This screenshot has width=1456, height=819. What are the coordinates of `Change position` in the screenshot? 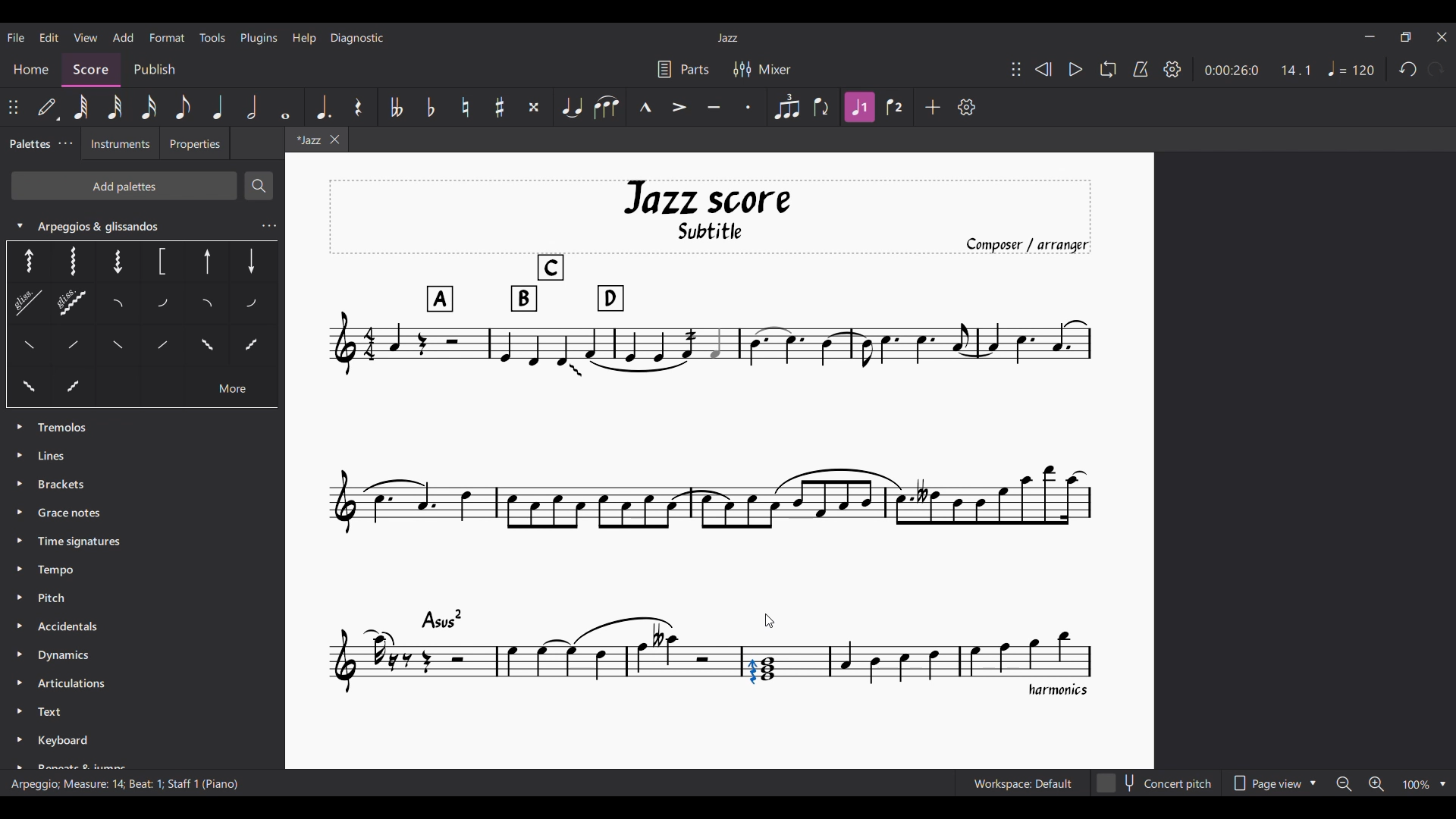 It's located at (1016, 69).